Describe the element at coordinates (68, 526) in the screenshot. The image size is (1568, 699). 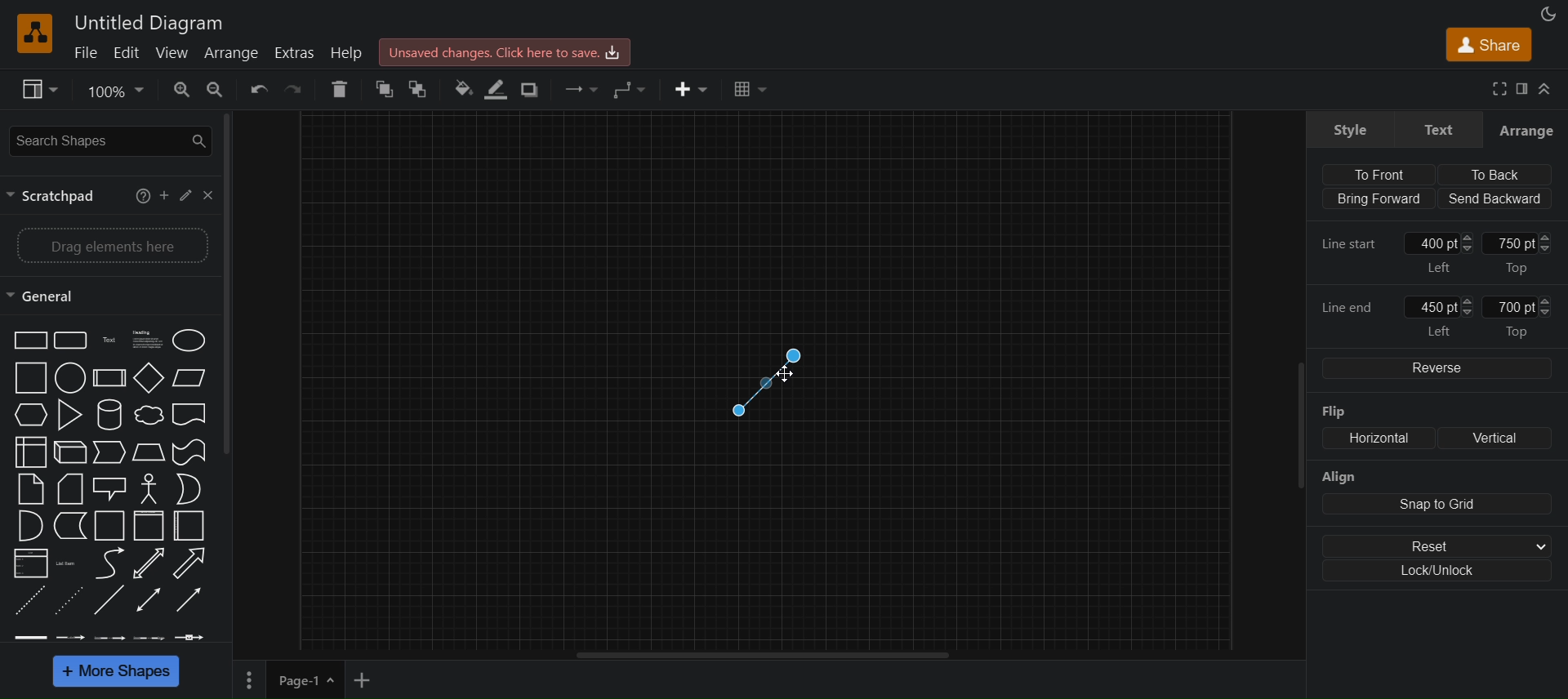
I see `Data storage` at that location.